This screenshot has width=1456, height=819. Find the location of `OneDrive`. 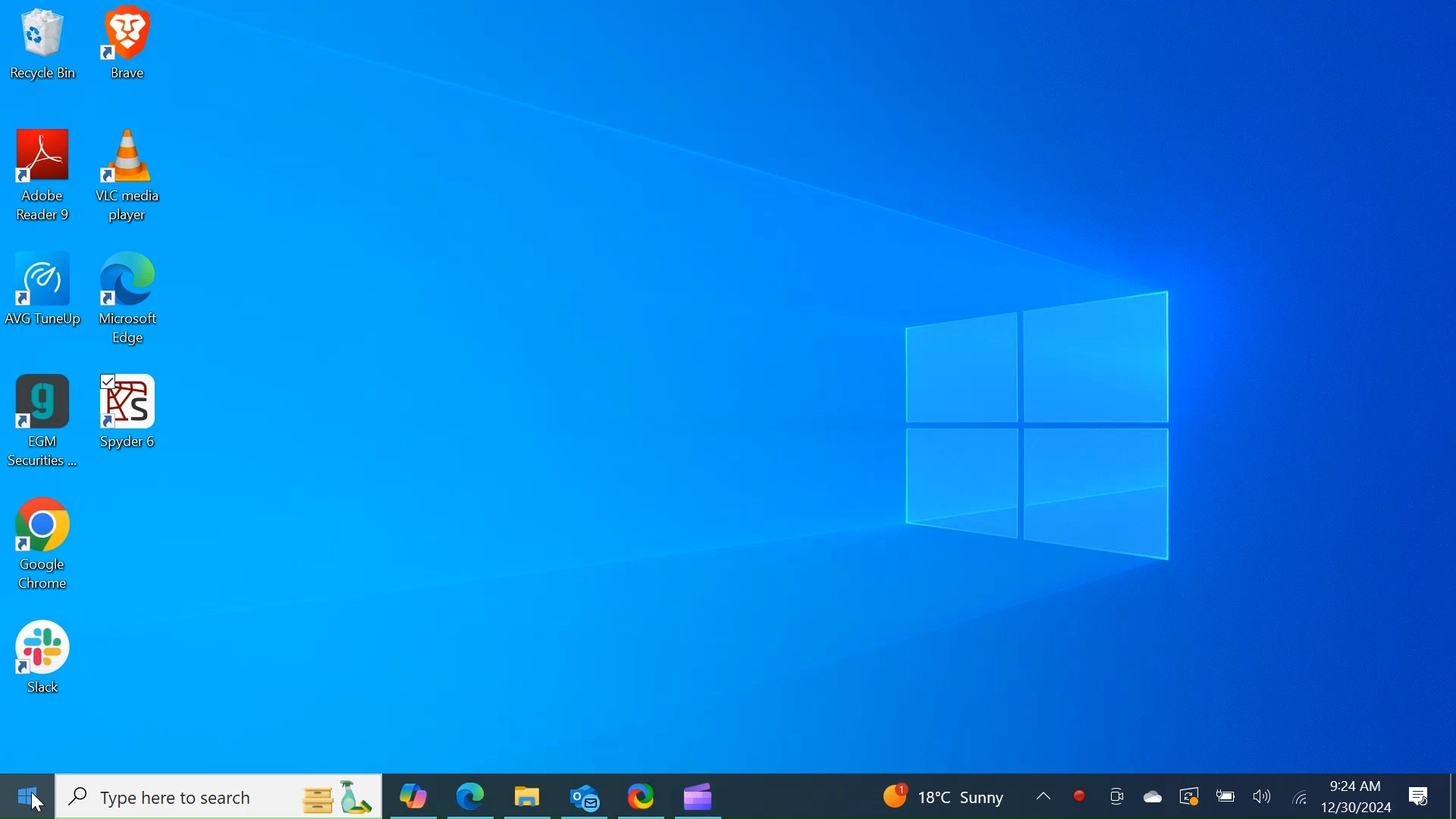

OneDrive is located at coordinates (1153, 794).